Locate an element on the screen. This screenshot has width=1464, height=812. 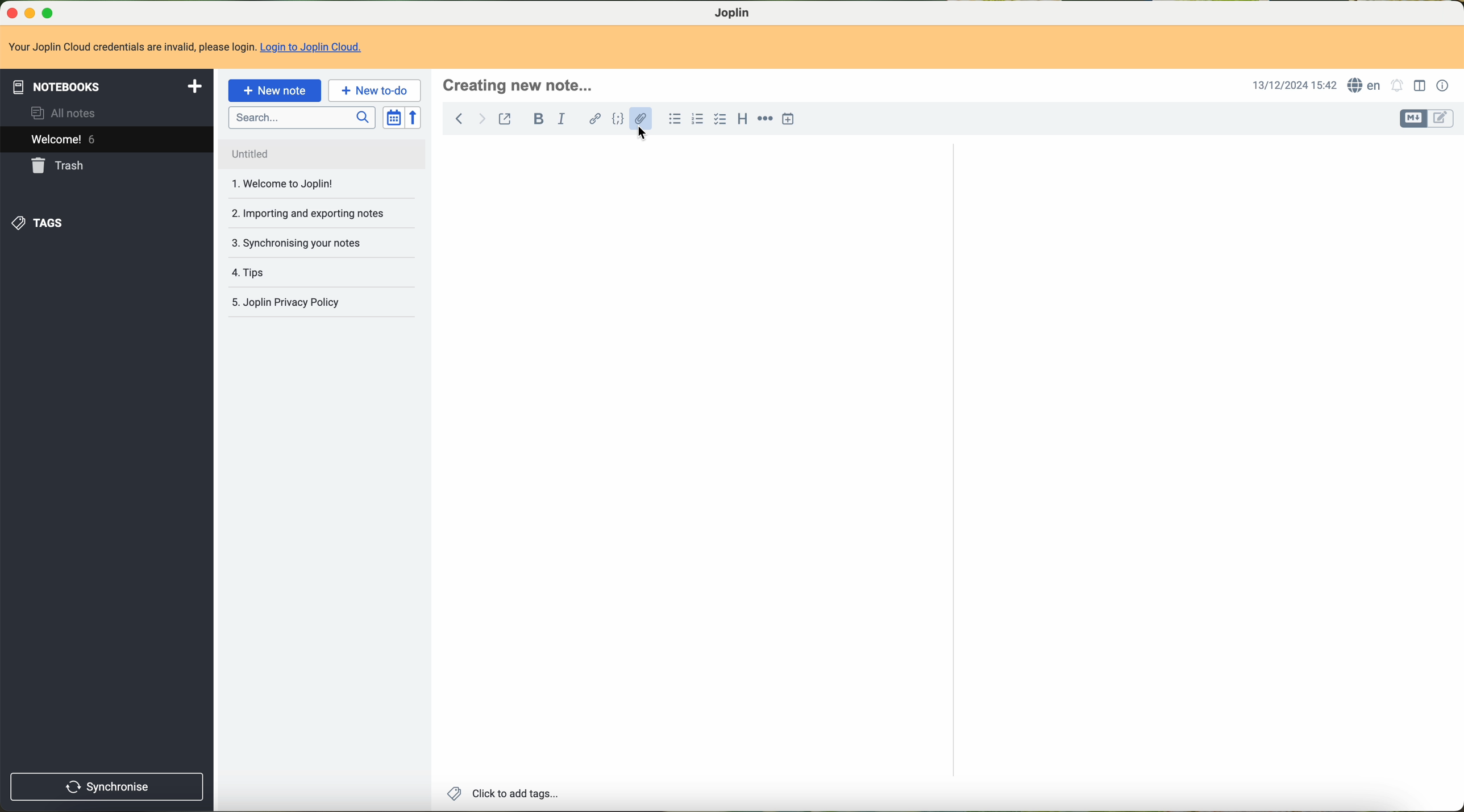
tips is located at coordinates (245, 272).